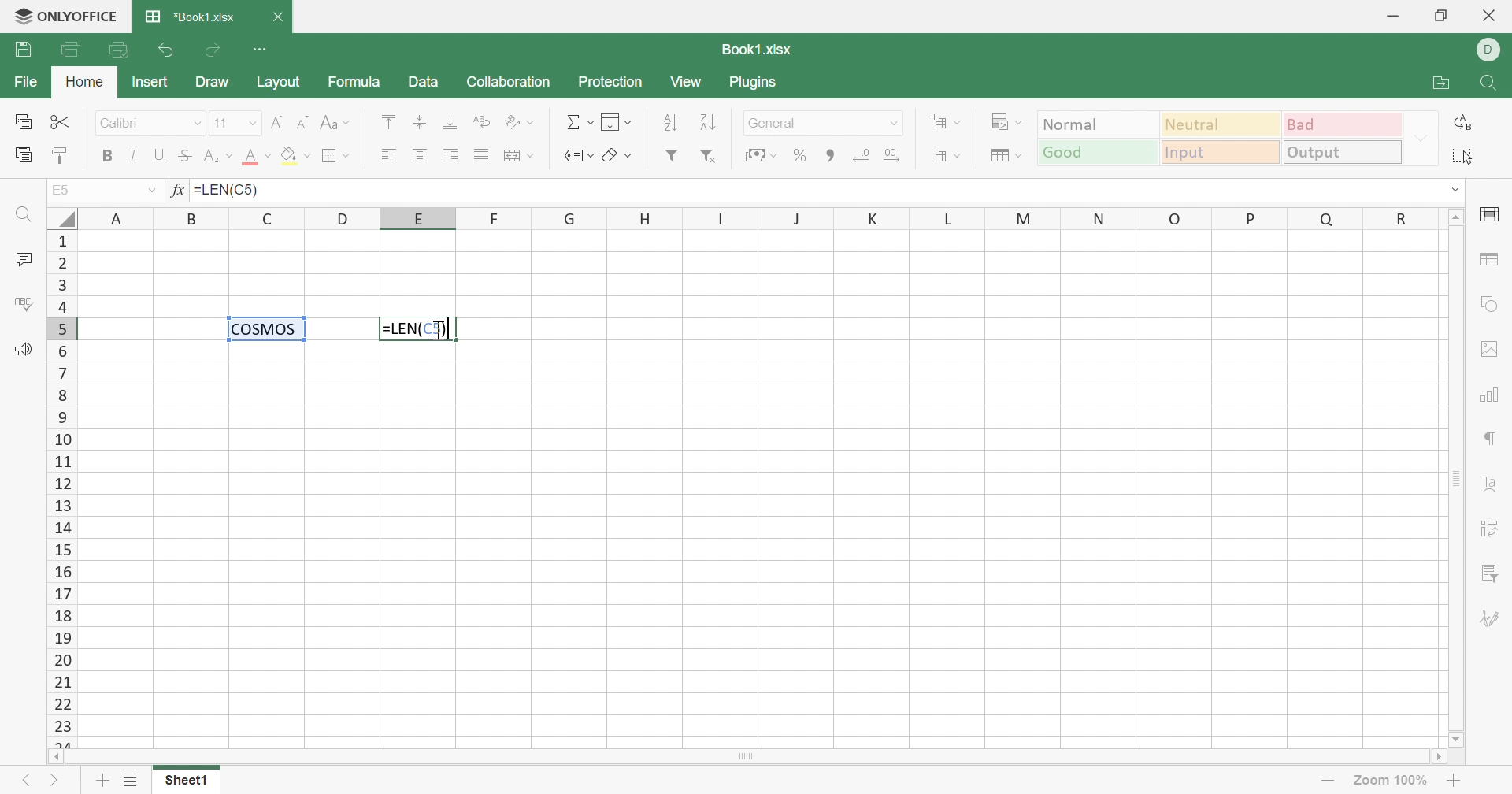 The height and width of the screenshot is (794, 1512). Describe the element at coordinates (393, 154) in the screenshot. I see `Align Left` at that location.